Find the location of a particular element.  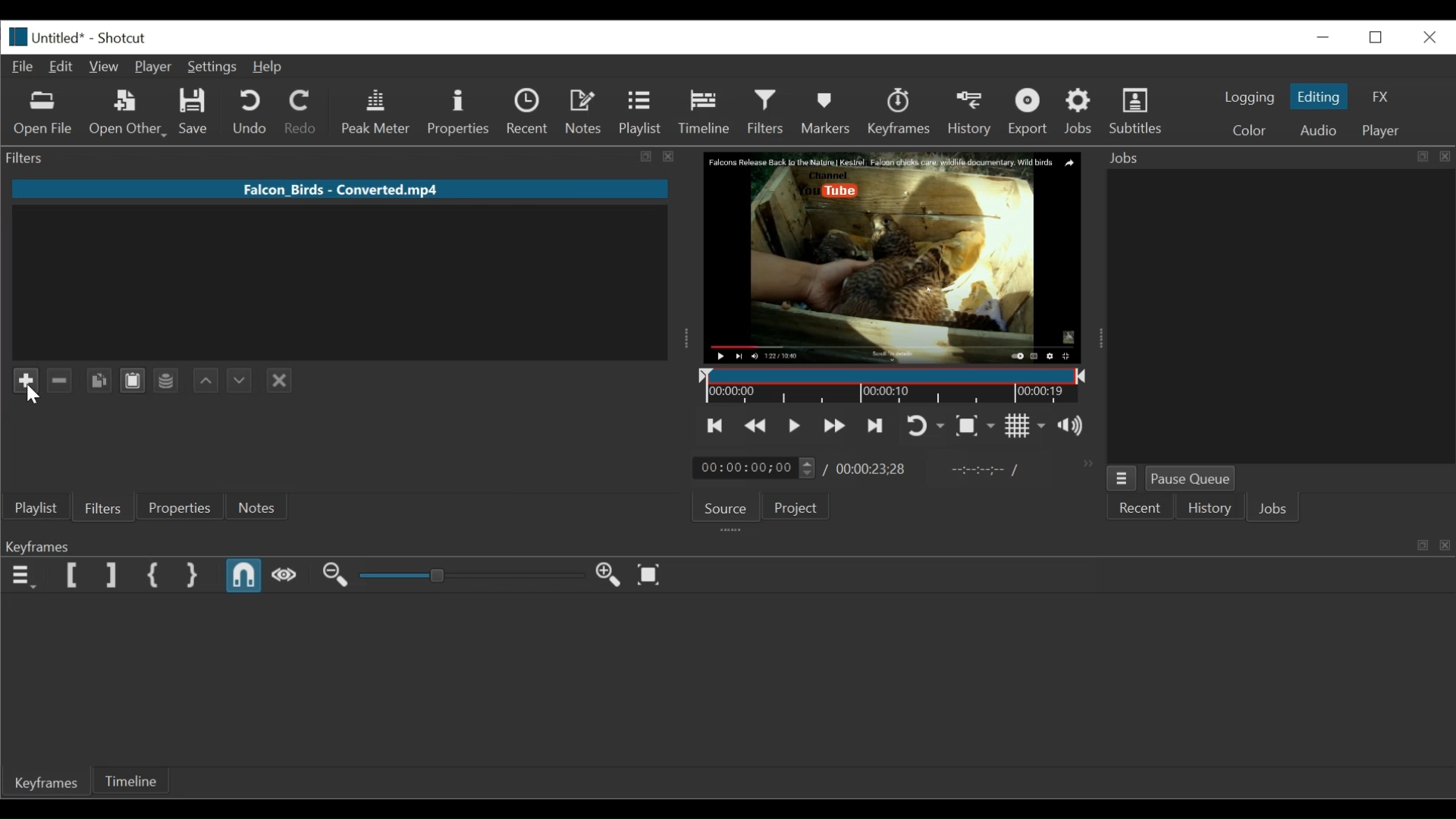

Audio is located at coordinates (1321, 130).